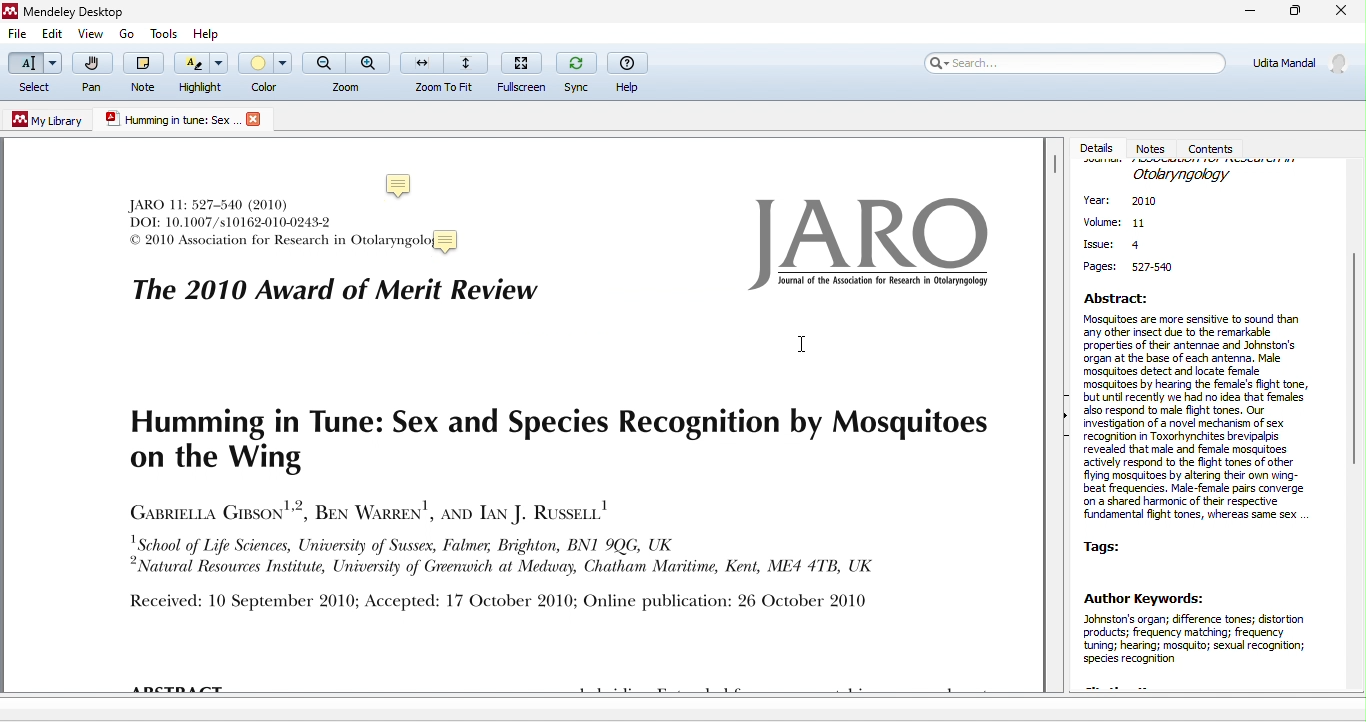 The image size is (1366, 722). Describe the element at coordinates (630, 72) in the screenshot. I see `help` at that location.